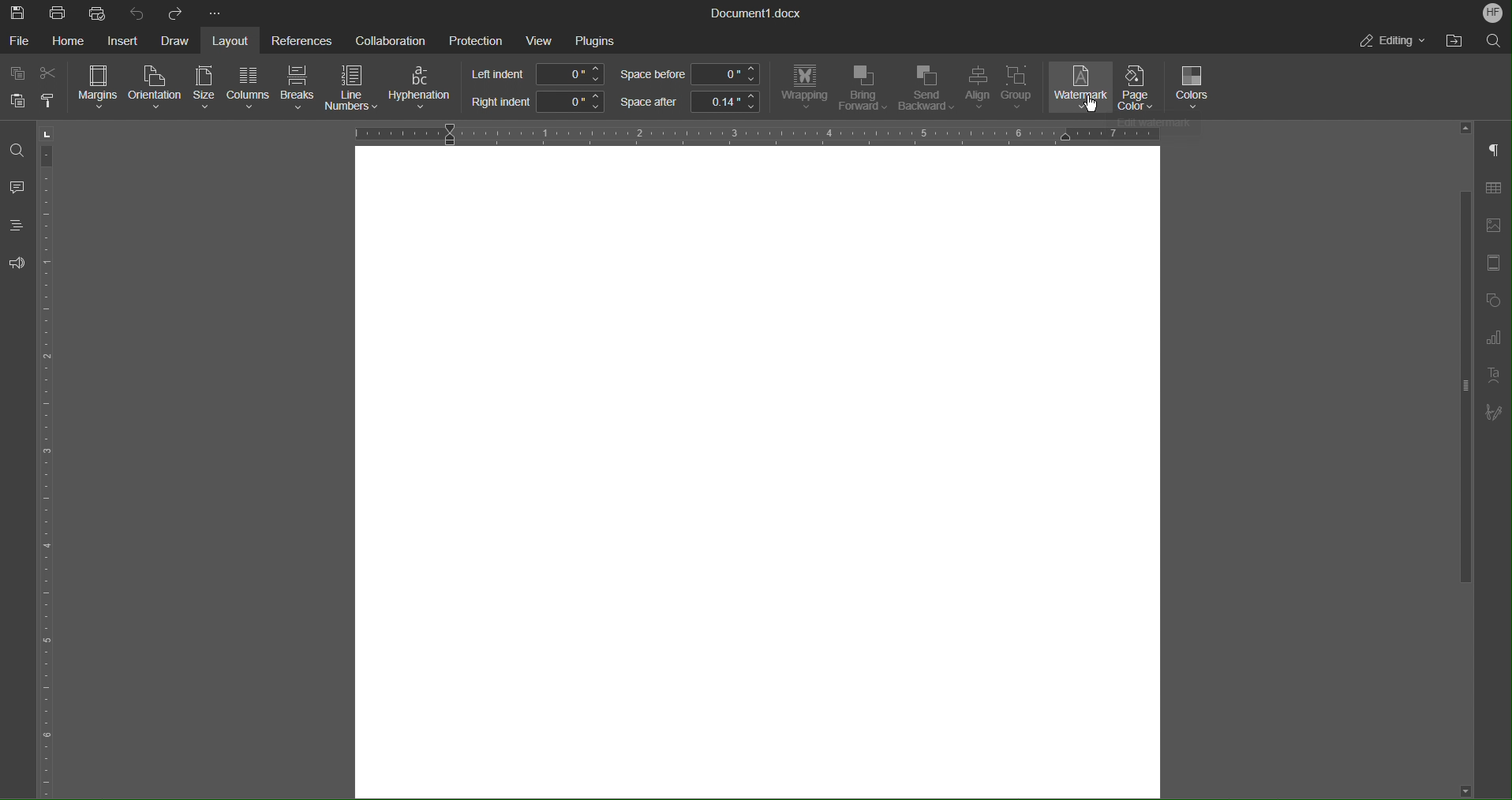 This screenshot has height=800, width=1512. I want to click on Save, so click(19, 13).